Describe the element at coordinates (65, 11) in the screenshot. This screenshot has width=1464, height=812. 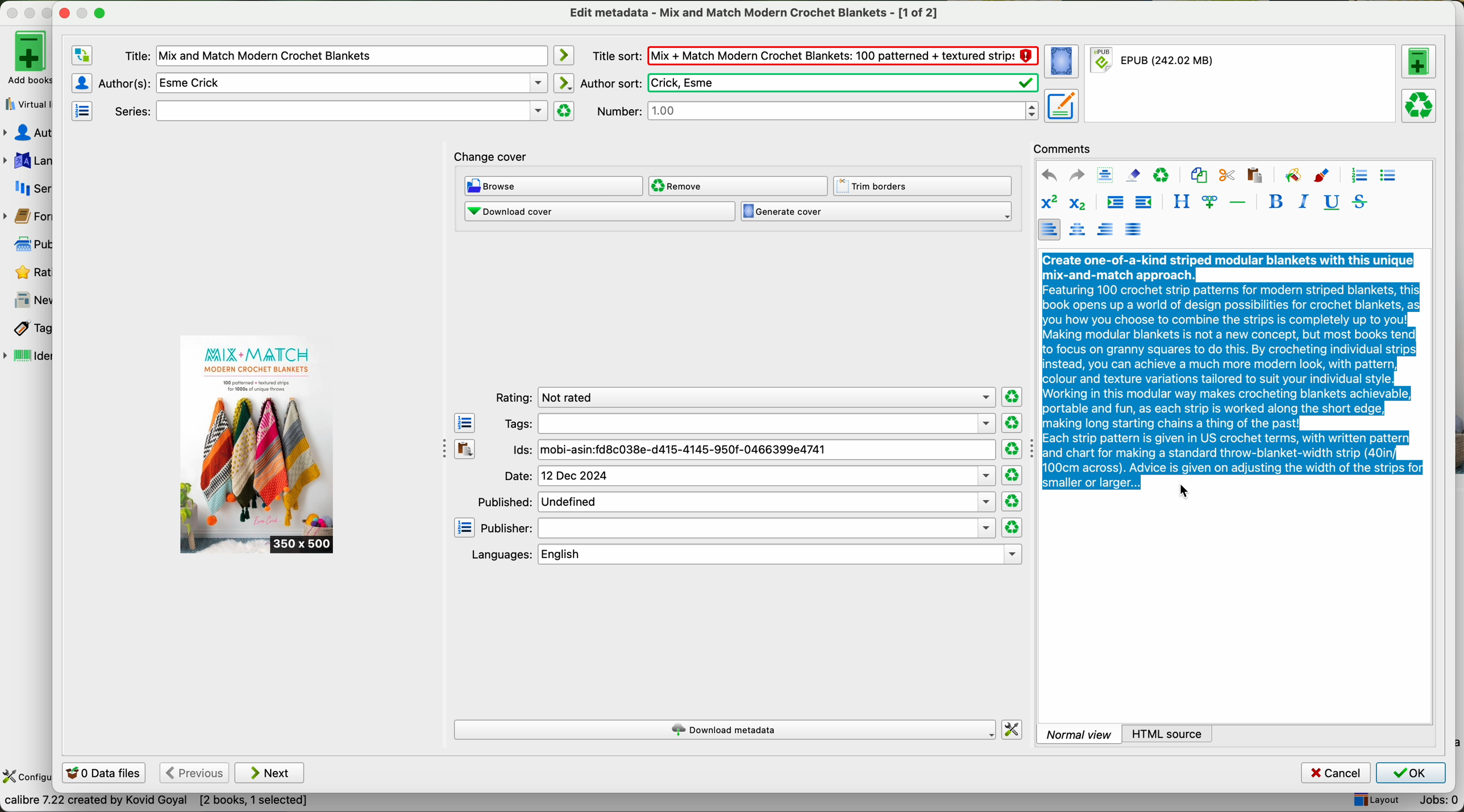
I see `close window` at that location.